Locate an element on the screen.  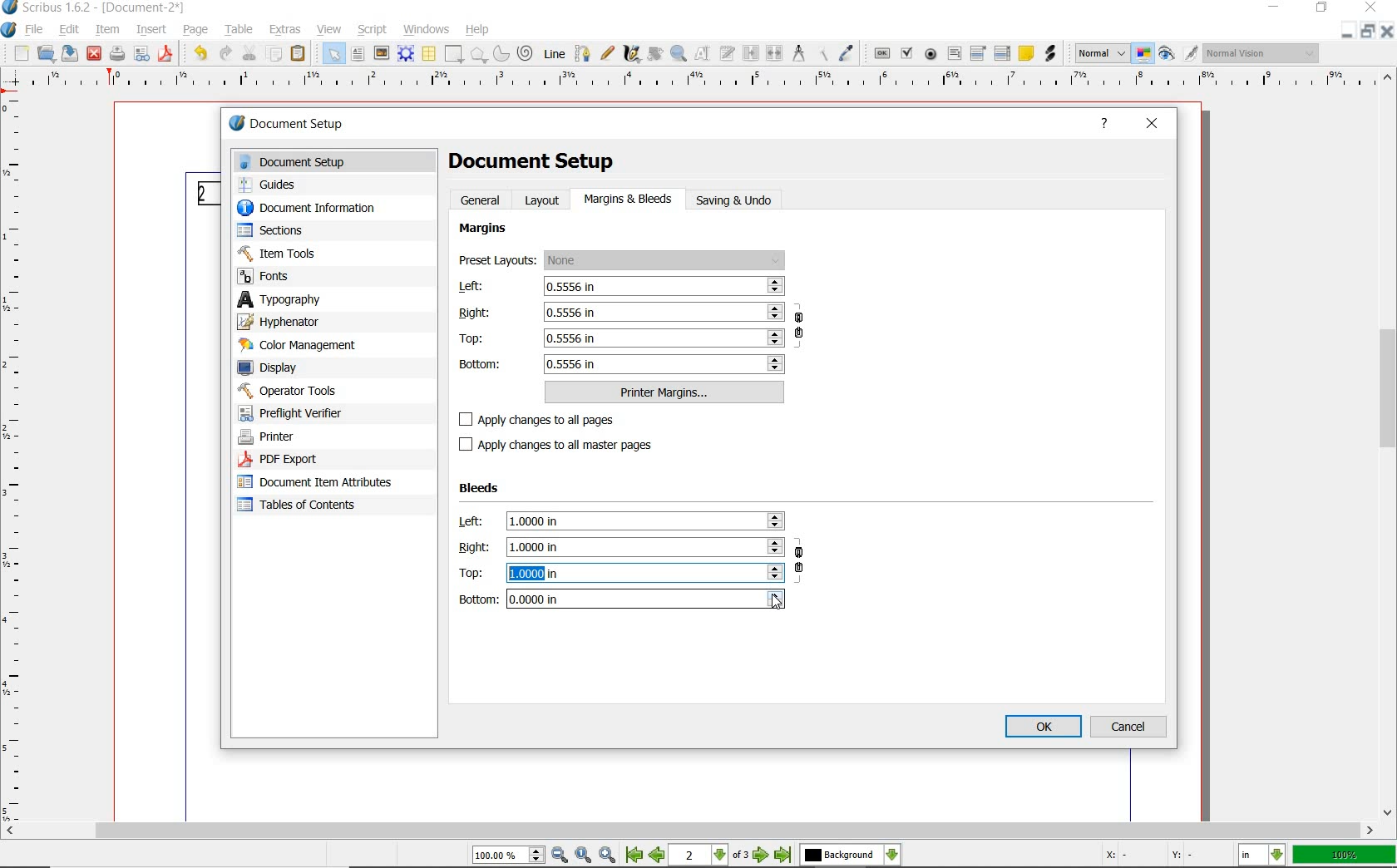
pdf check box is located at coordinates (908, 55).